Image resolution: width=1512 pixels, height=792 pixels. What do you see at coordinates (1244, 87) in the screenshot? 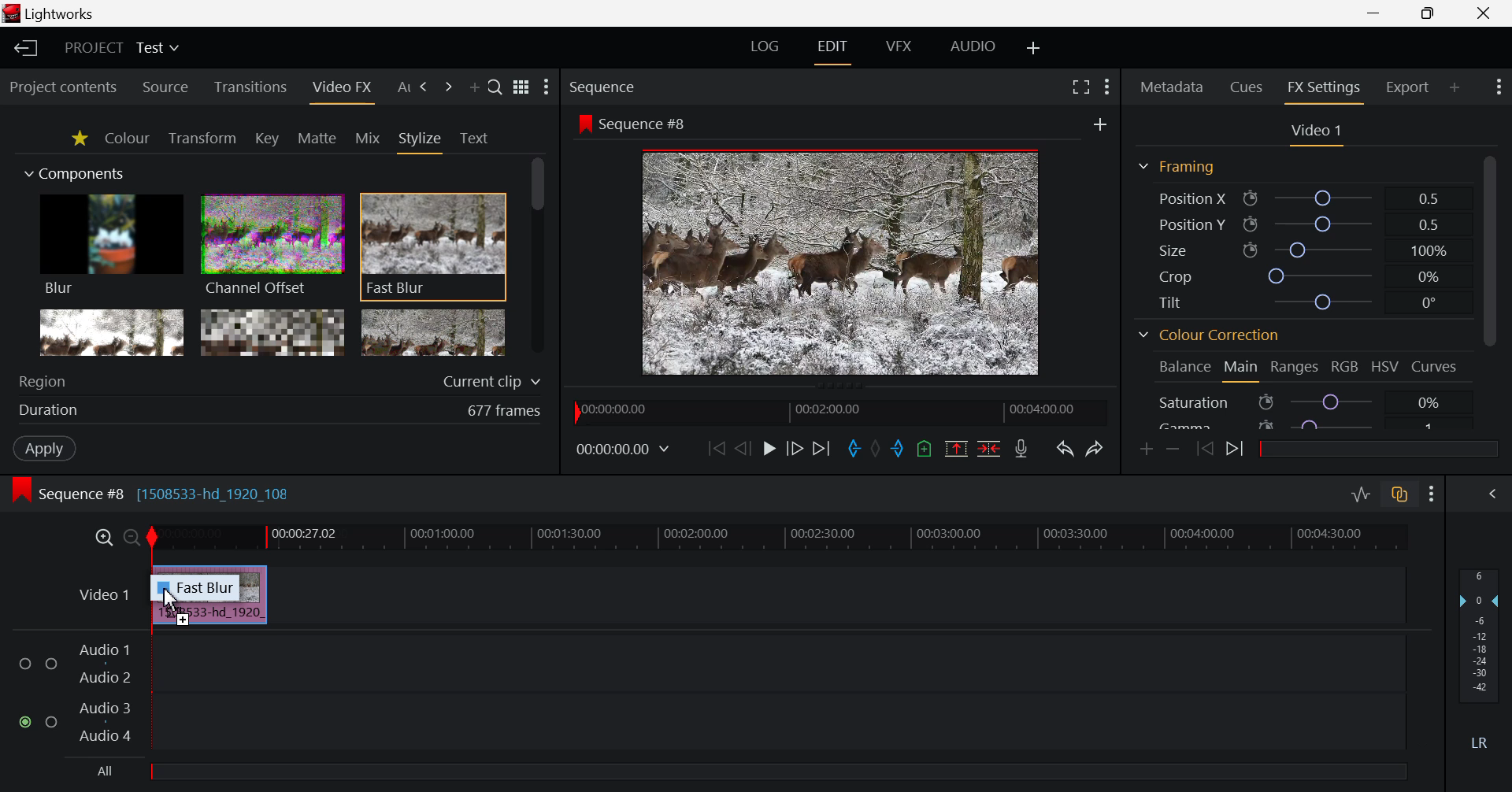
I see `Cues` at bounding box center [1244, 87].